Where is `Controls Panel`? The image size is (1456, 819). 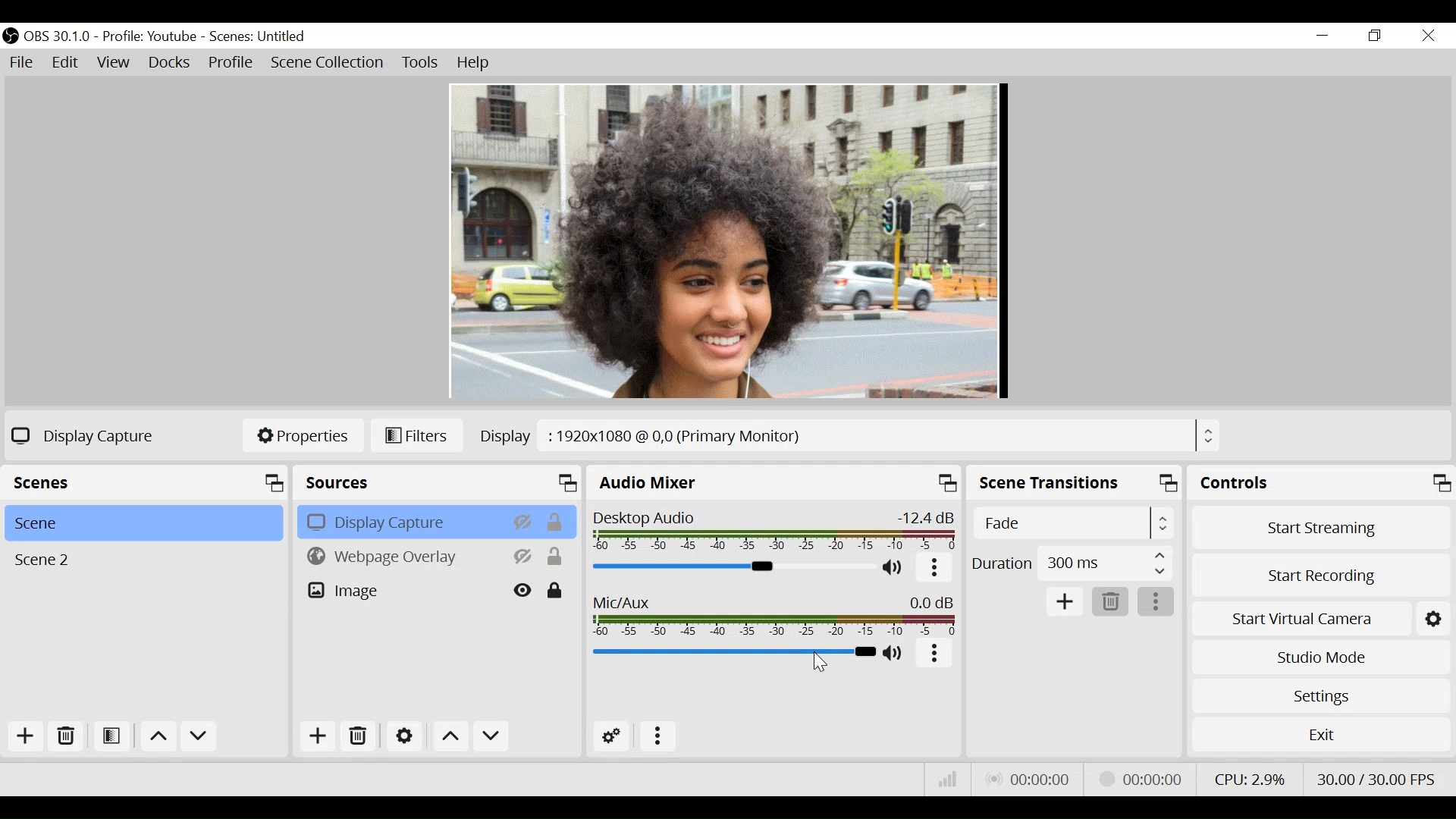 Controls Panel is located at coordinates (1321, 482).